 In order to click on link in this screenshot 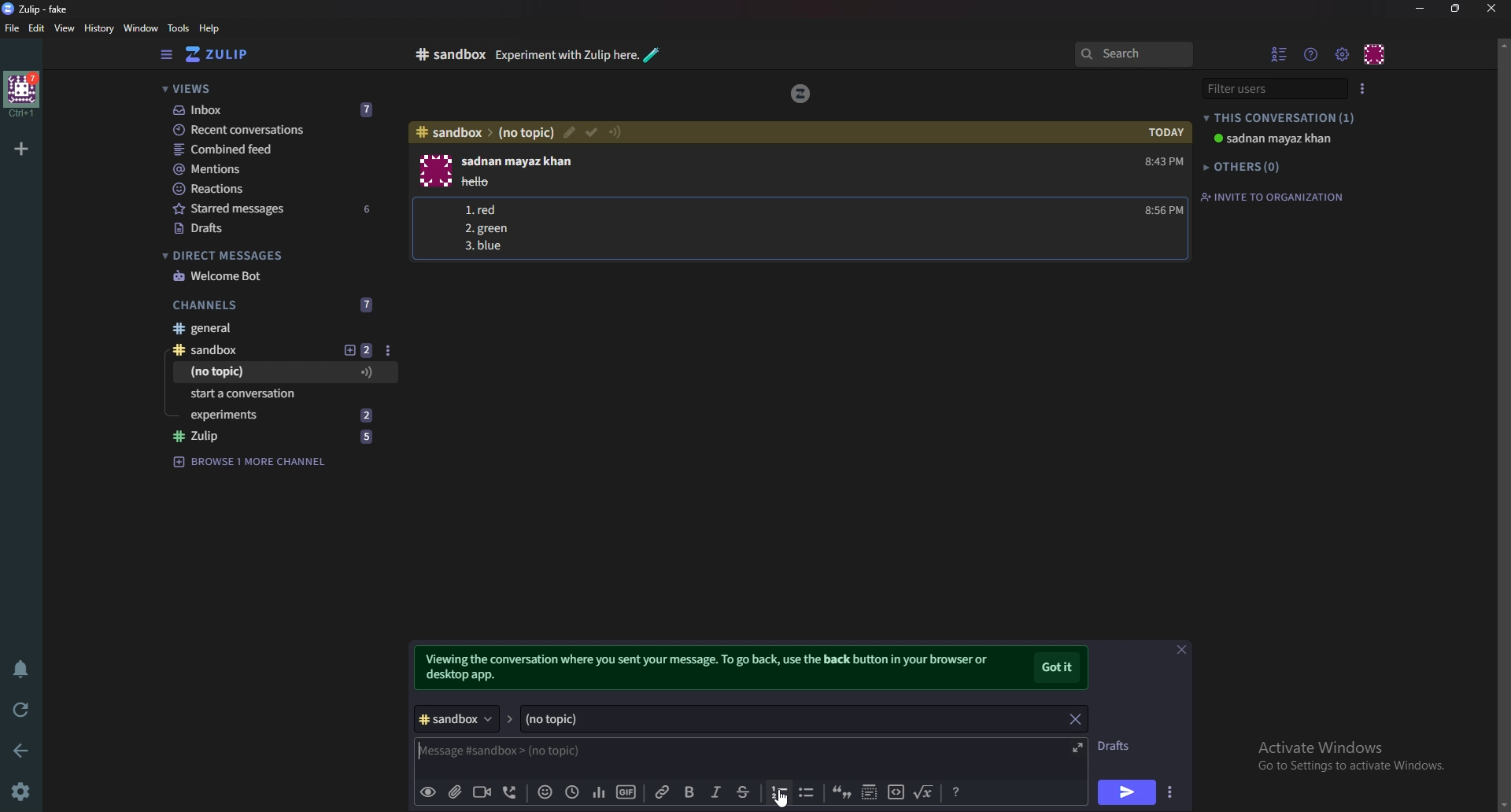, I will do `click(663, 792)`.